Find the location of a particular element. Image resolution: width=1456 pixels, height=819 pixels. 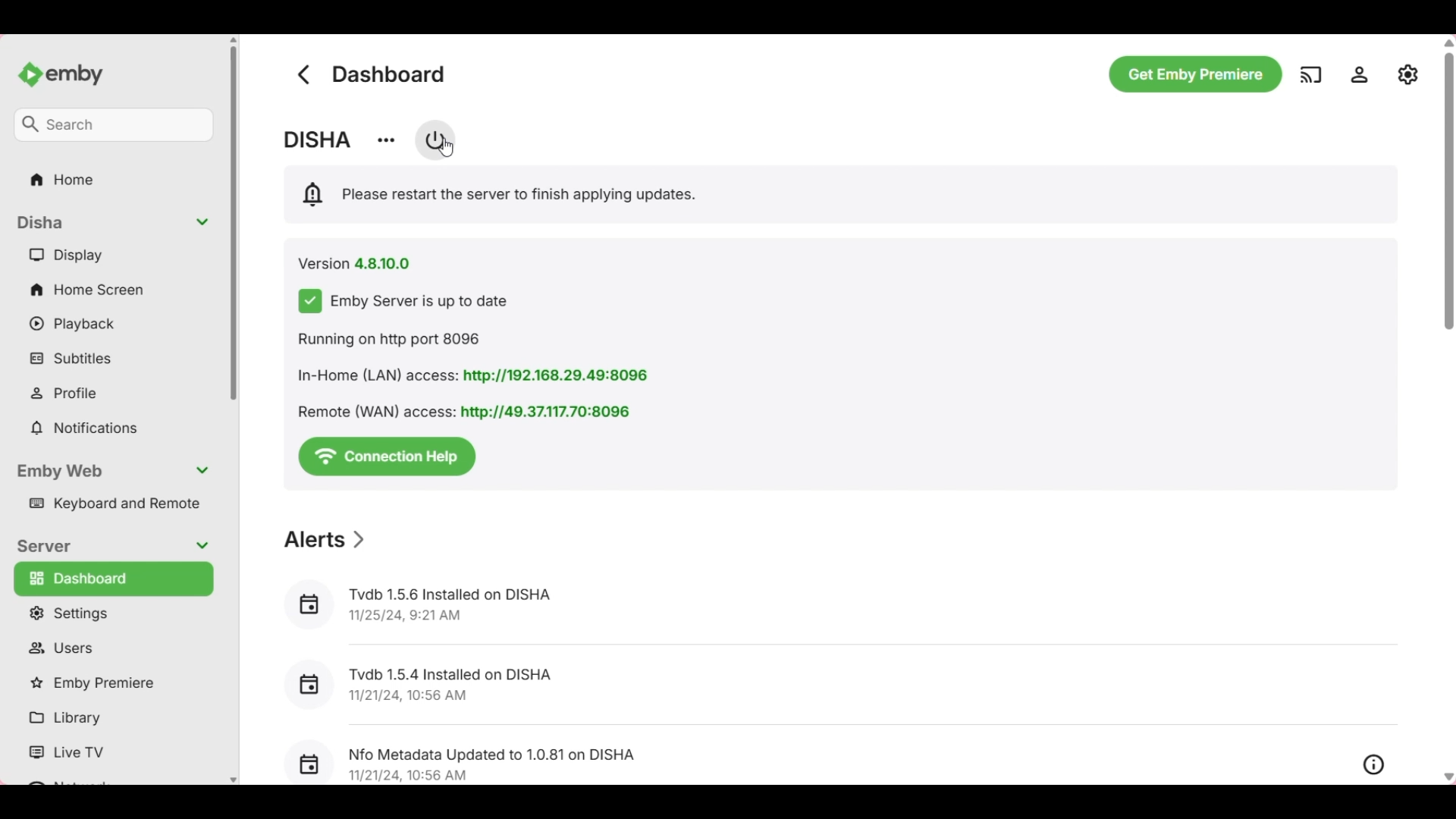

Search box is located at coordinates (113, 125).